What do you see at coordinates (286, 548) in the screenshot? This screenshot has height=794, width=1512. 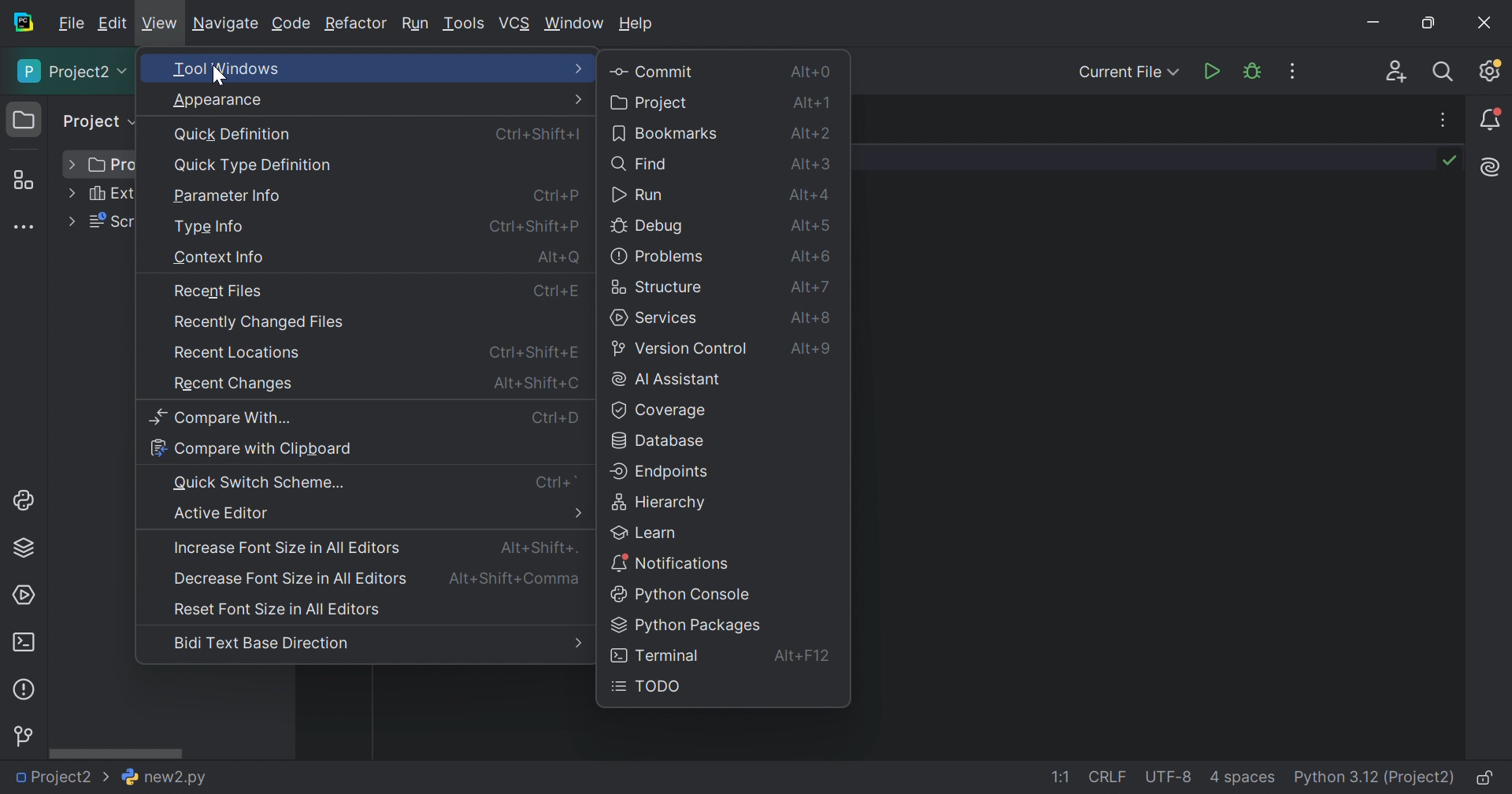 I see `Increase font size in all editors` at bounding box center [286, 548].